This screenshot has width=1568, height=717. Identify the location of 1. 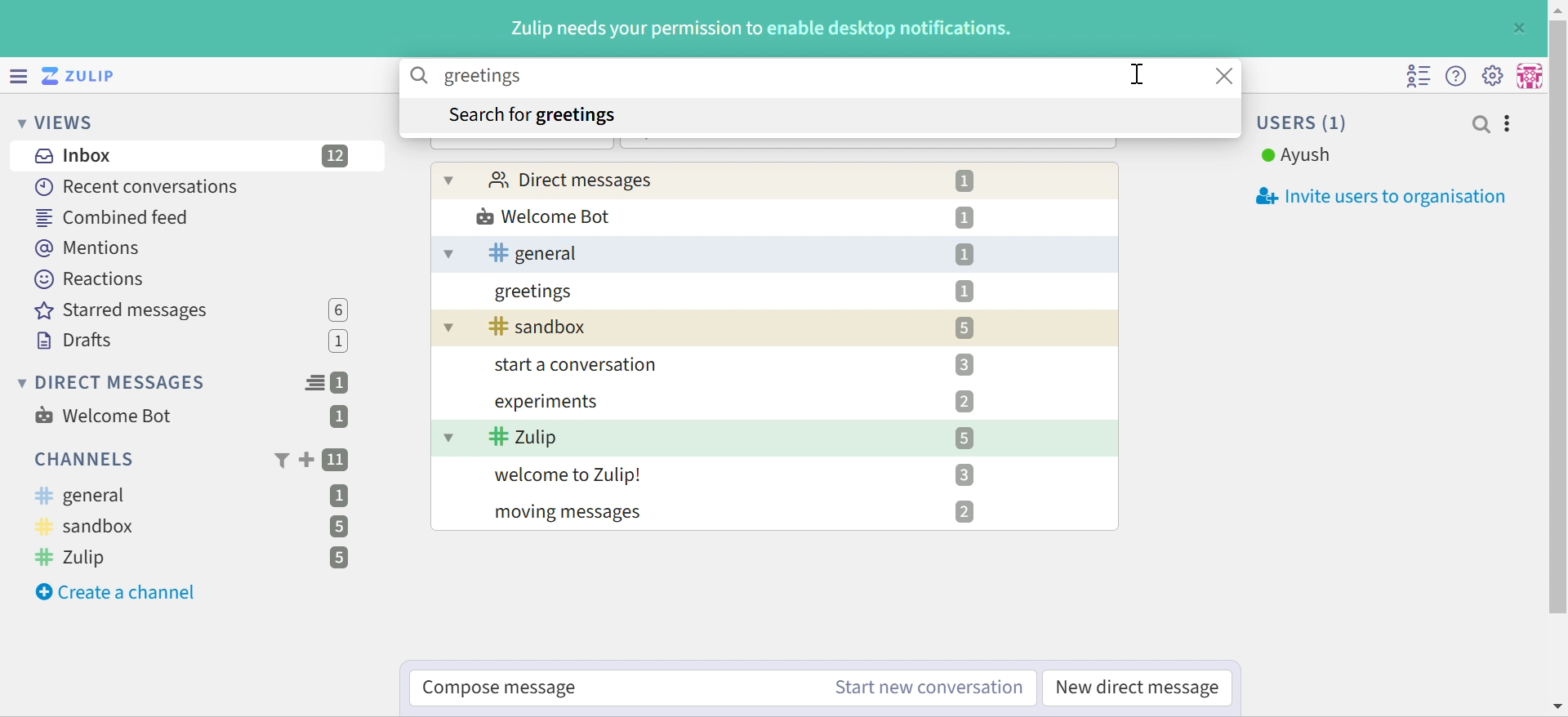
(965, 254).